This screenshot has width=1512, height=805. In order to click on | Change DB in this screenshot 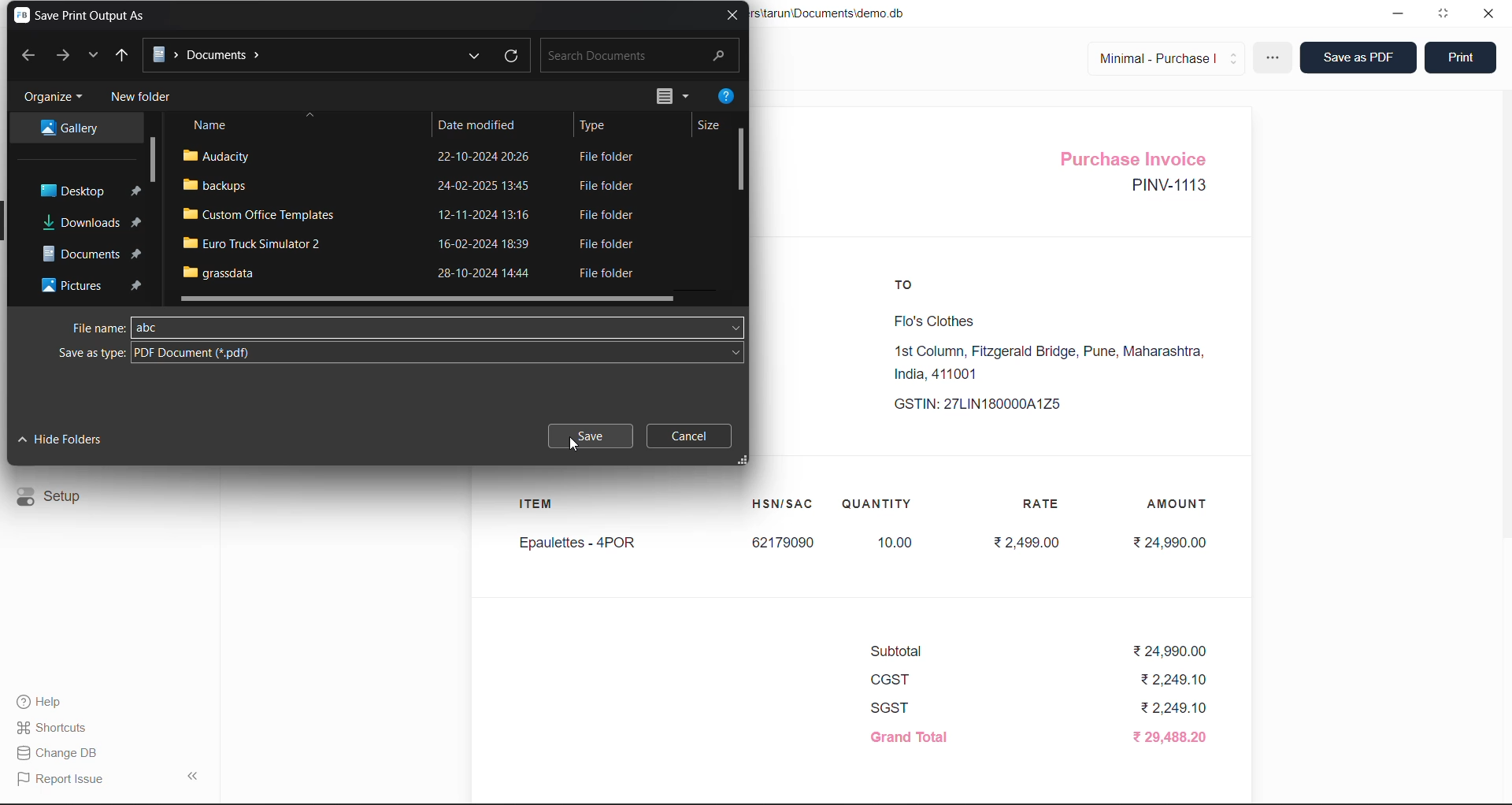, I will do `click(61, 752)`.